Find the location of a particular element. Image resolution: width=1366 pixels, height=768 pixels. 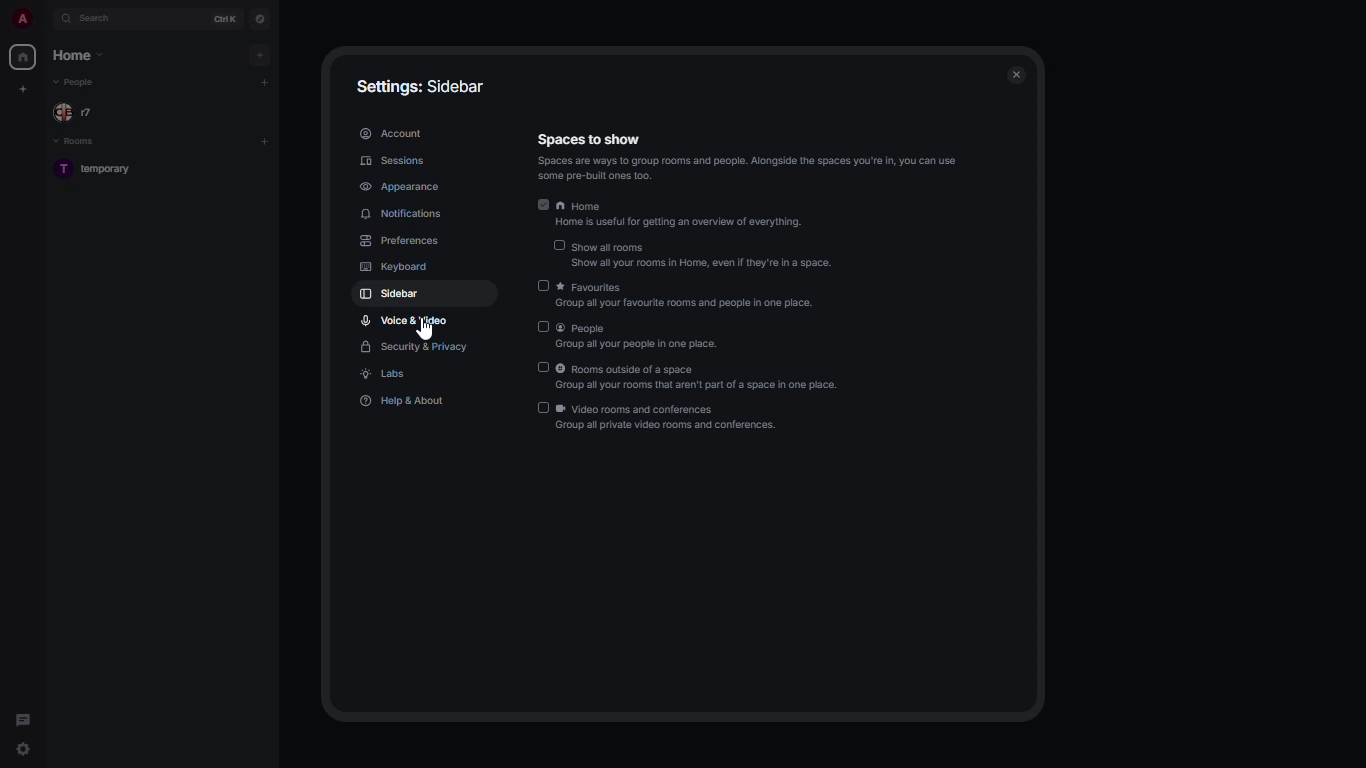

close is located at coordinates (1017, 74).